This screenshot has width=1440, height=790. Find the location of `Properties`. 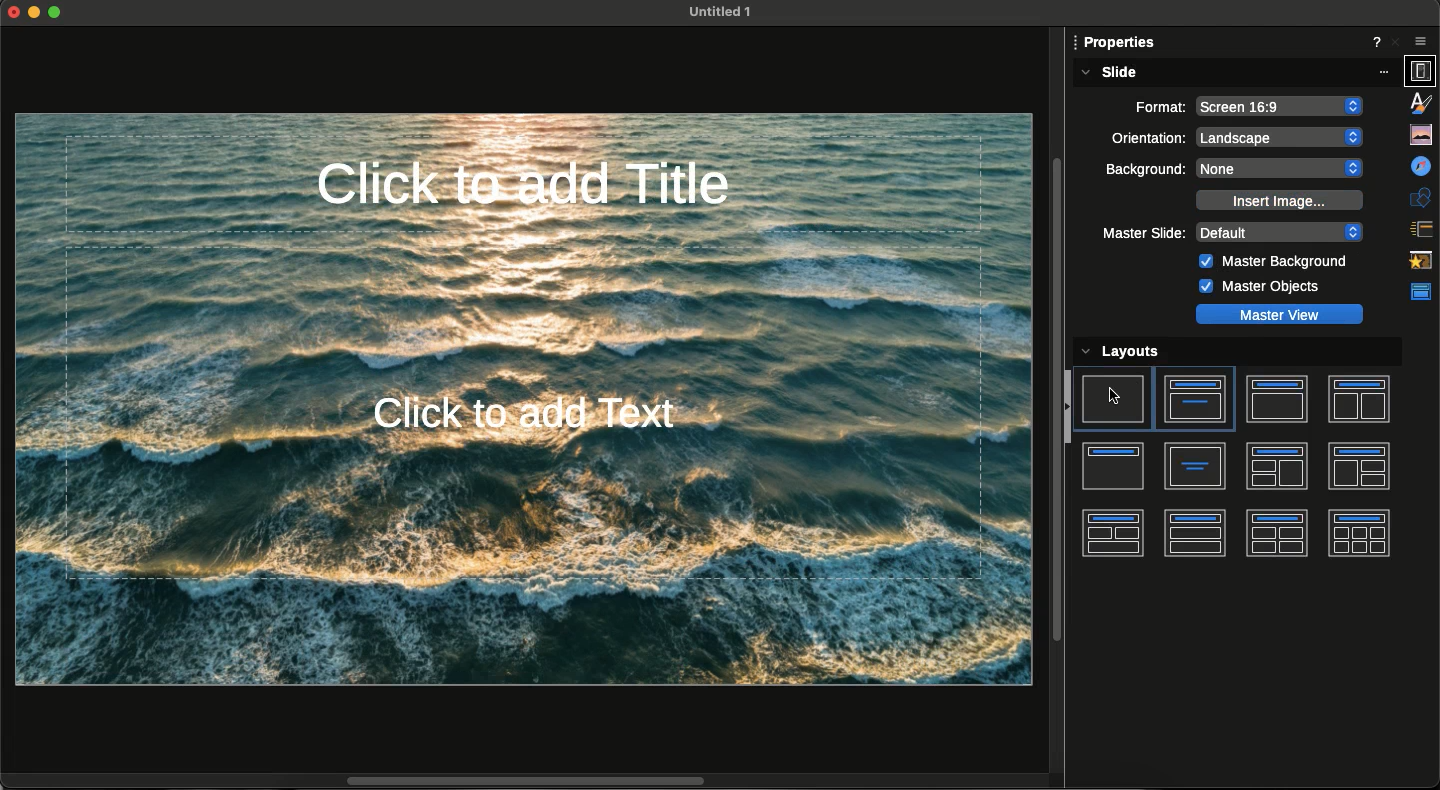

Properties is located at coordinates (1119, 44).